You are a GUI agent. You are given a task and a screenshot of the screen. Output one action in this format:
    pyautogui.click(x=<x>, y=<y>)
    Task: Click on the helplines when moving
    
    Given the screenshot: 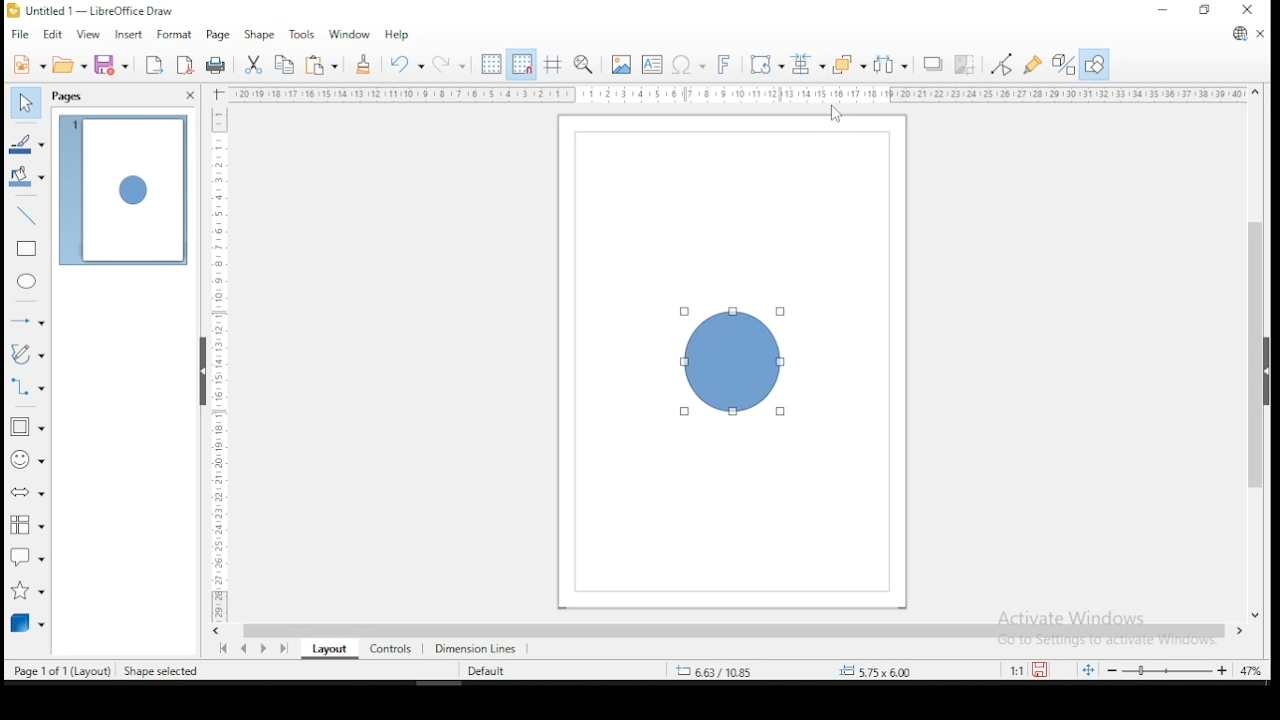 What is the action you would take?
    pyautogui.click(x=551, y=64)
    